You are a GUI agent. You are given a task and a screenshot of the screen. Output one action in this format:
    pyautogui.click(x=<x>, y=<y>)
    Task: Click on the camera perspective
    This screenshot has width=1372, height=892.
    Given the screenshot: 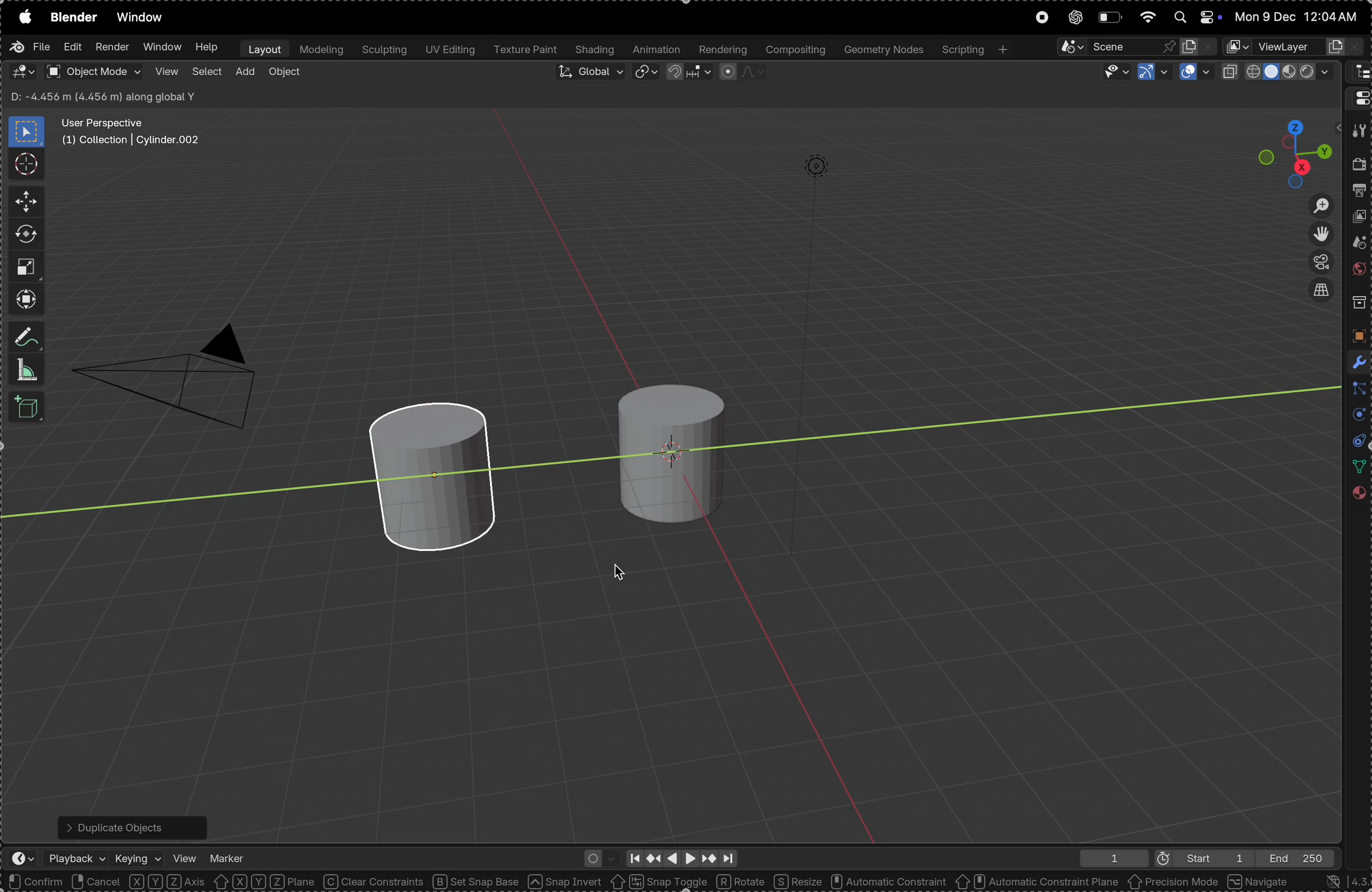 What is the action you would take?
    pyautogui.click(x=174, y=369)
    